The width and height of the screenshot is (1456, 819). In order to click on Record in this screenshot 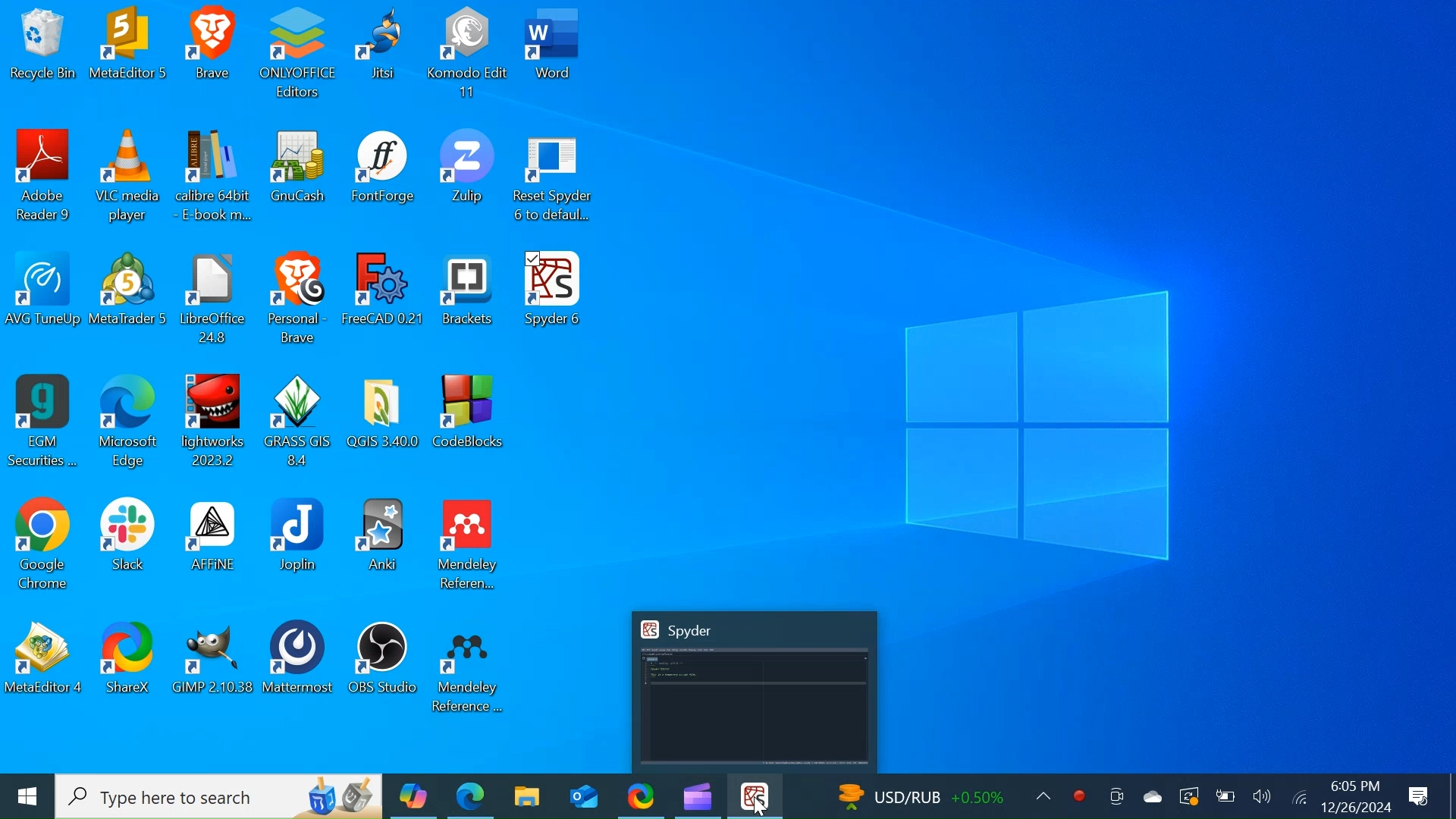, I will do `click(1076, 795)`.